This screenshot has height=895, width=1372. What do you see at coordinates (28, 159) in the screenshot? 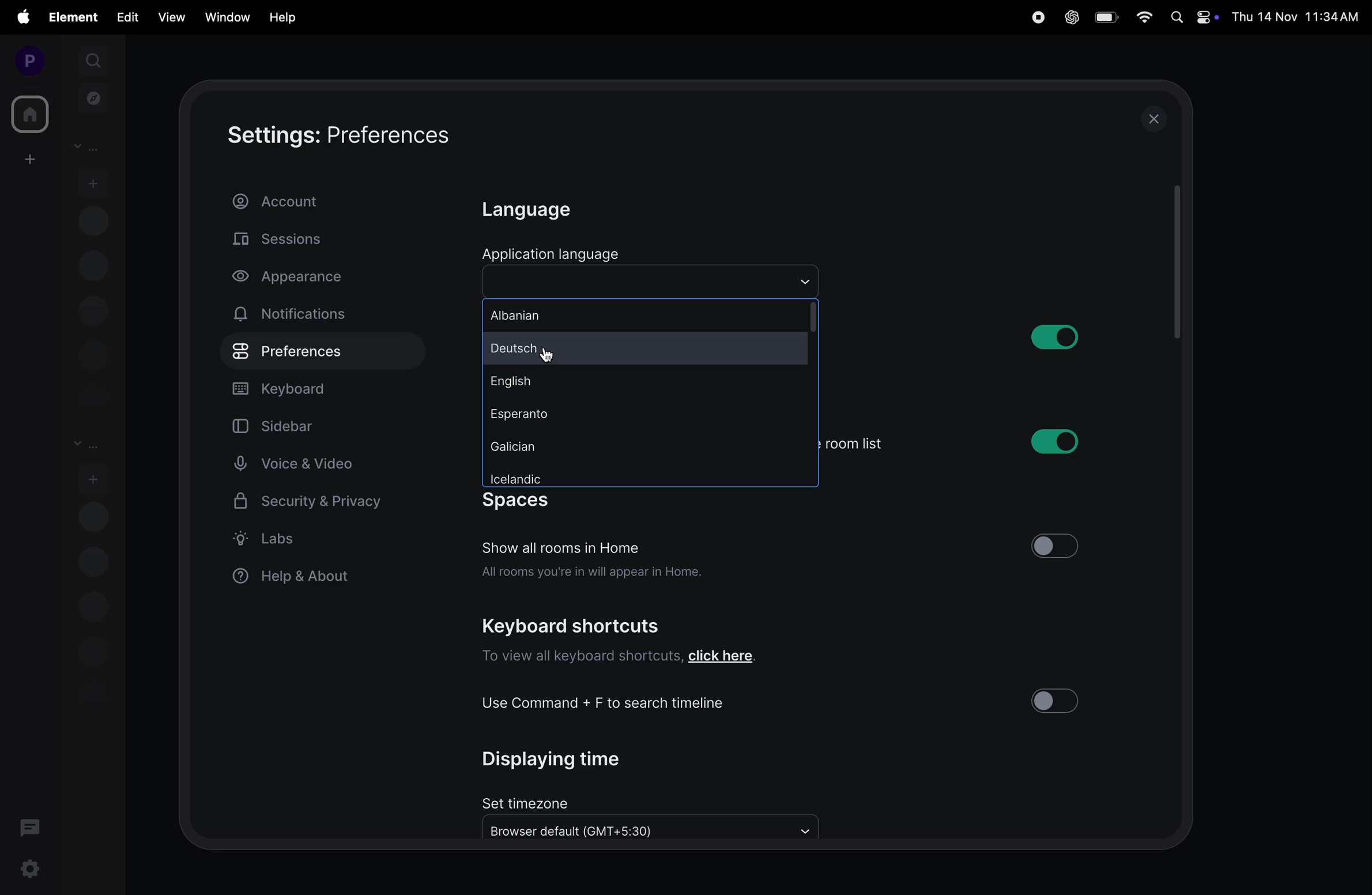
I see `create space` at bounding box center [28, 159].